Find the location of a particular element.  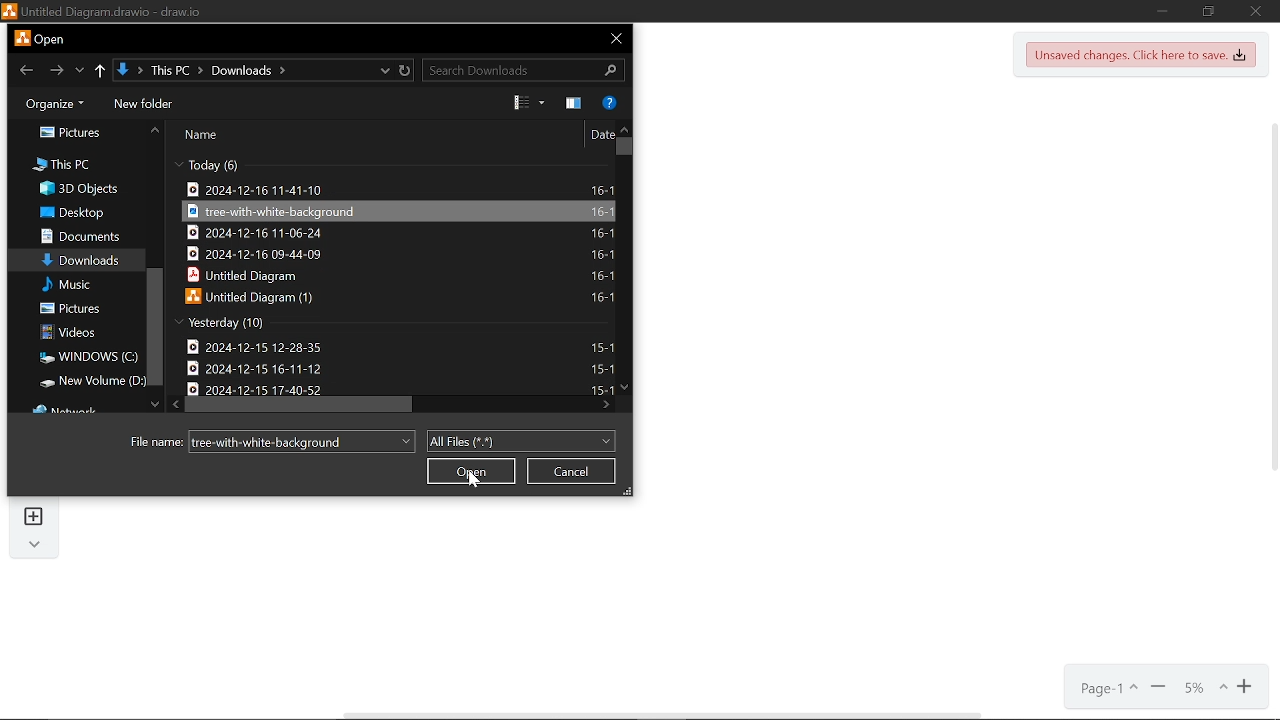

desktop is located at coordinates (77, 212).